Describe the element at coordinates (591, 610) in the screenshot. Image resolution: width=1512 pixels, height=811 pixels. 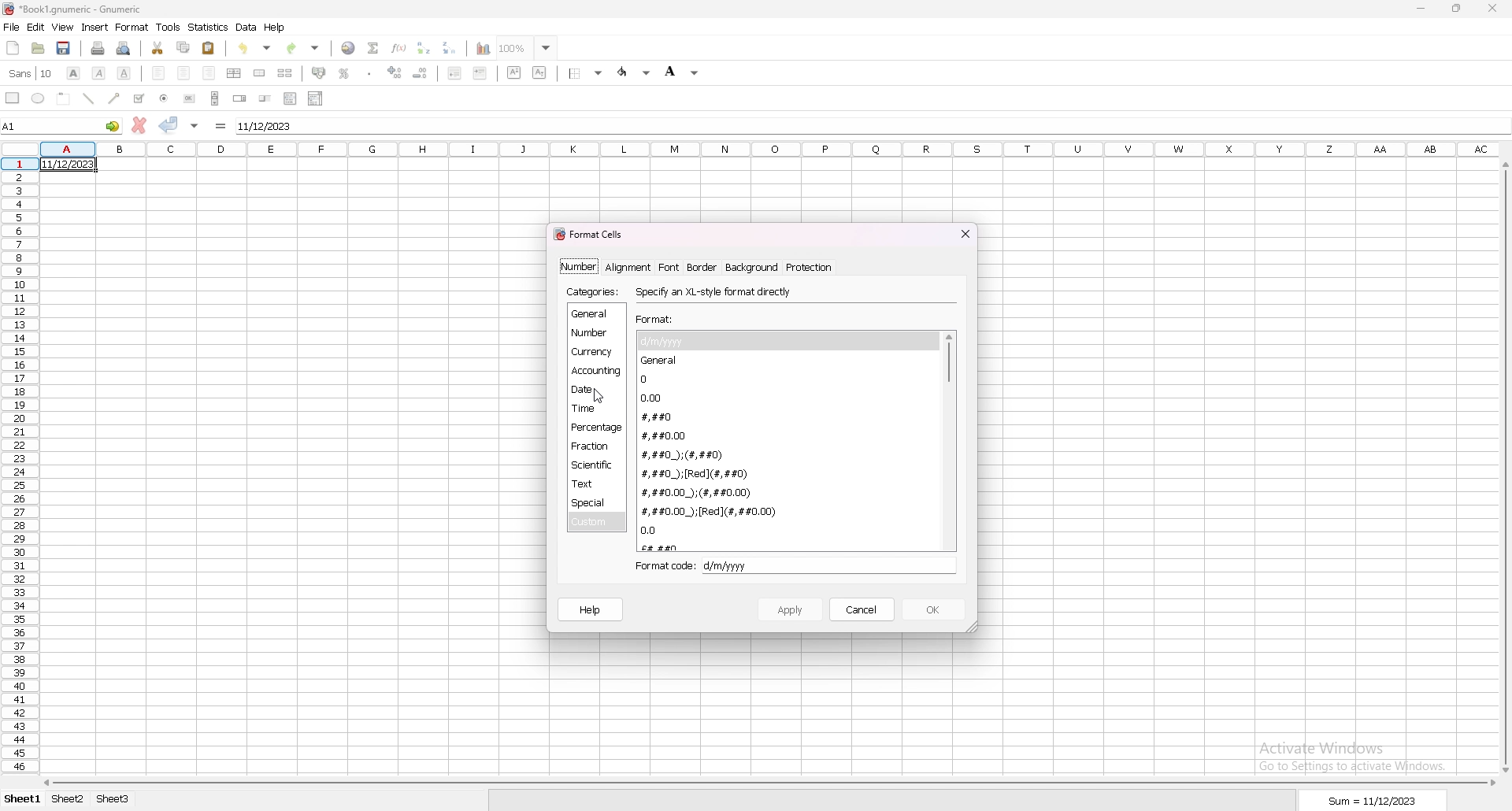
I see `help` at that location.